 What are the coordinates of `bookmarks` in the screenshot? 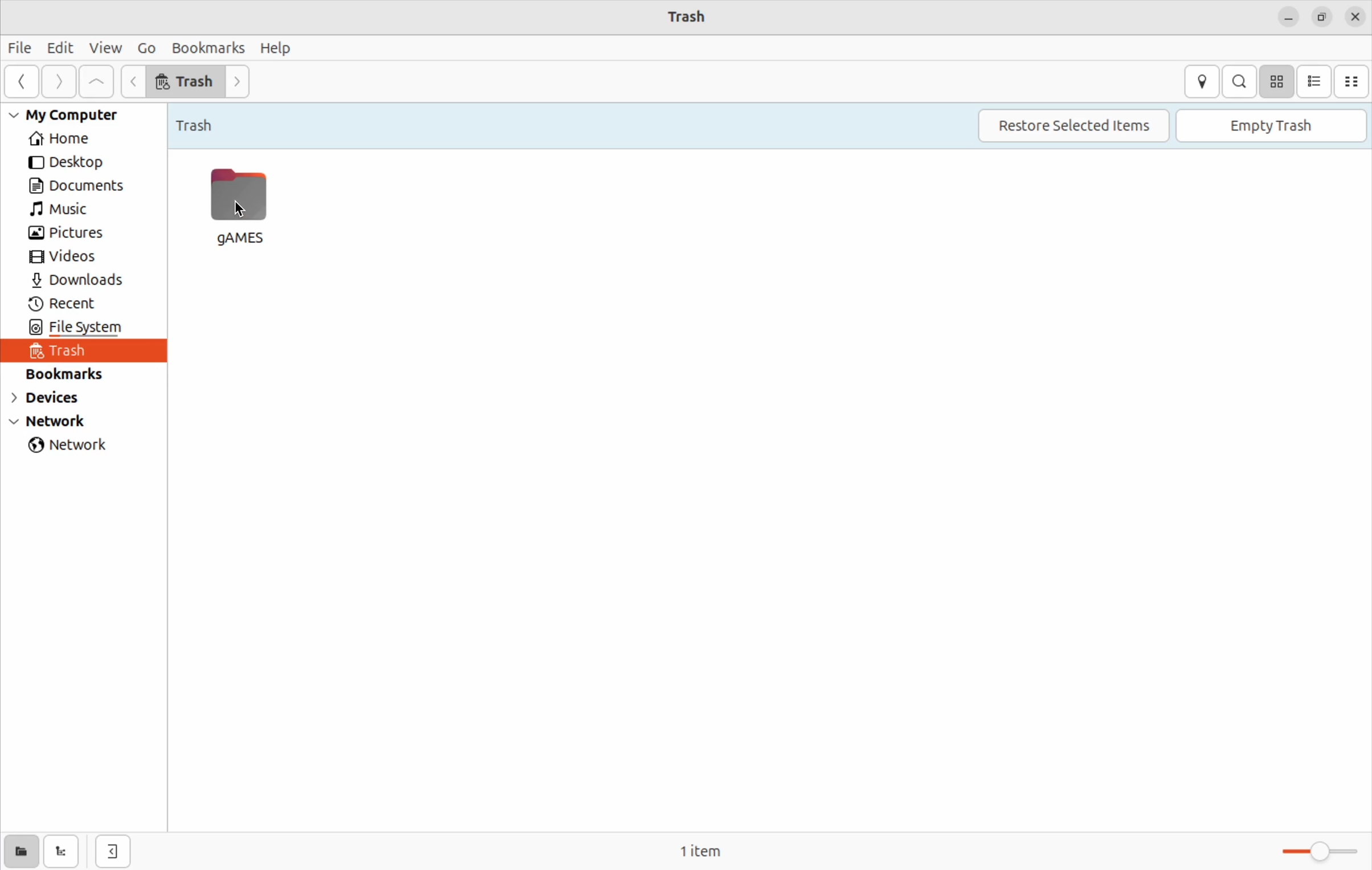 It's located at (74, 374).